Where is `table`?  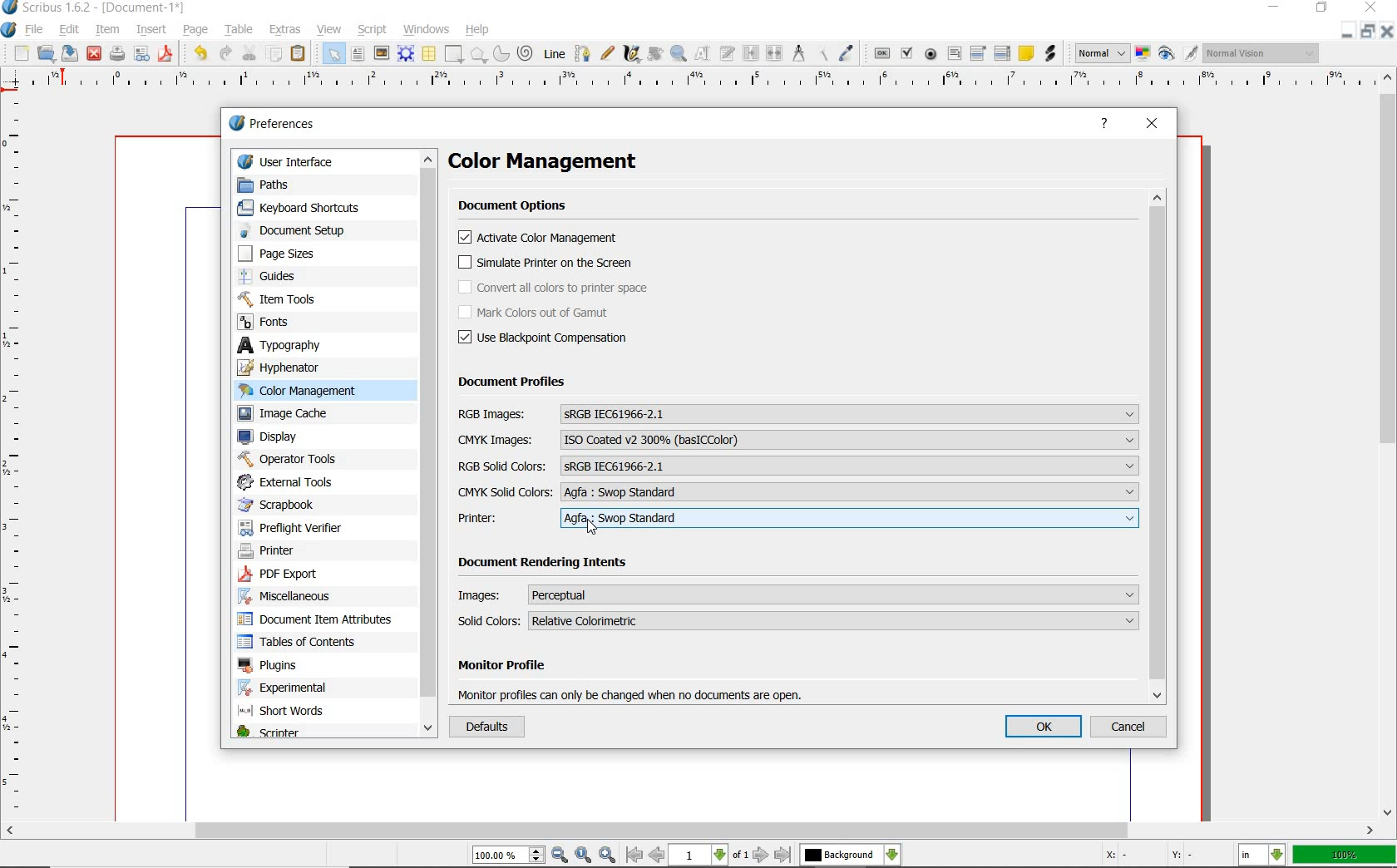 table is located at coordinates (239, 28).